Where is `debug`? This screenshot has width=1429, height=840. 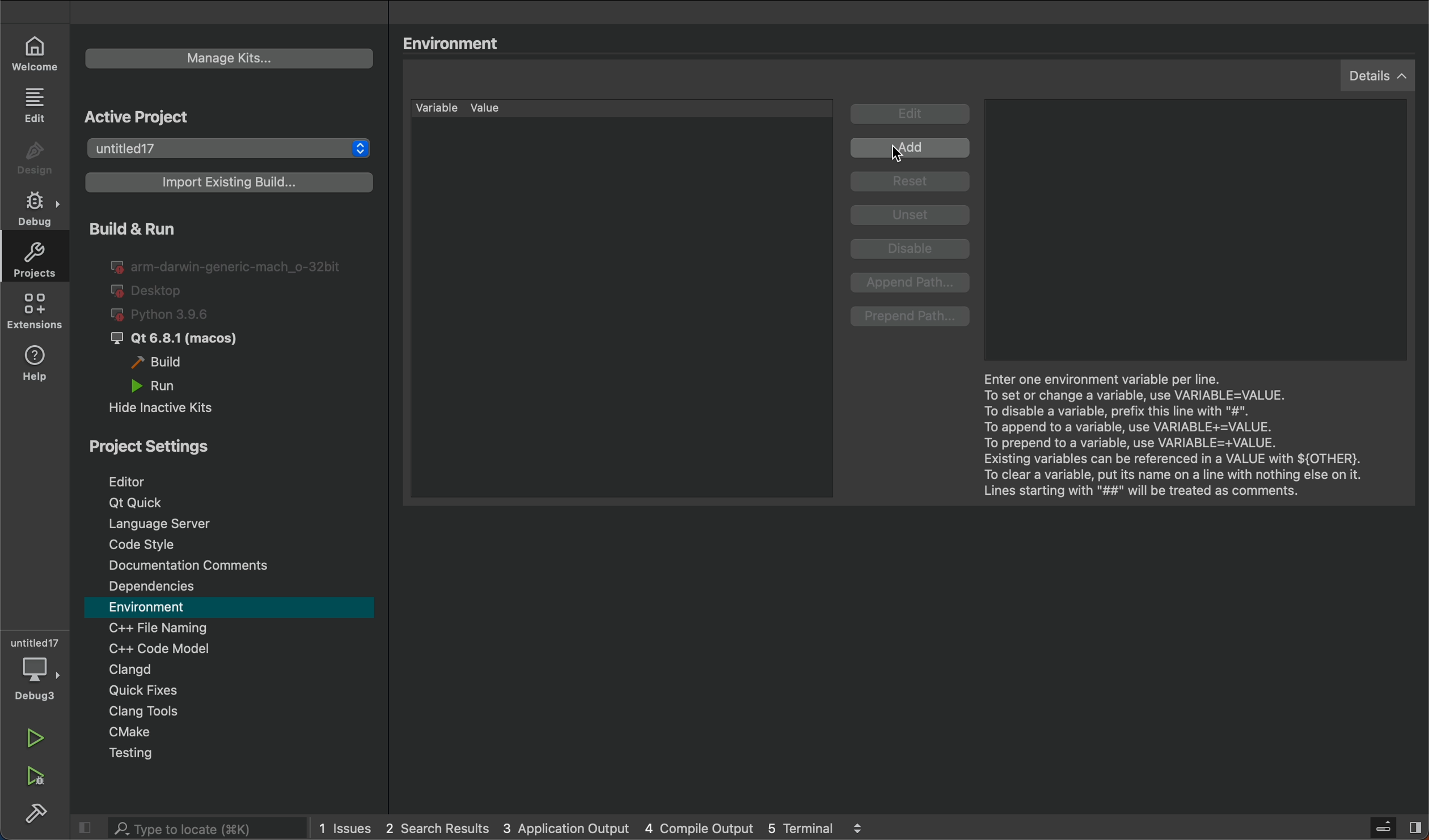
debug is located at coordinates (39, 669).